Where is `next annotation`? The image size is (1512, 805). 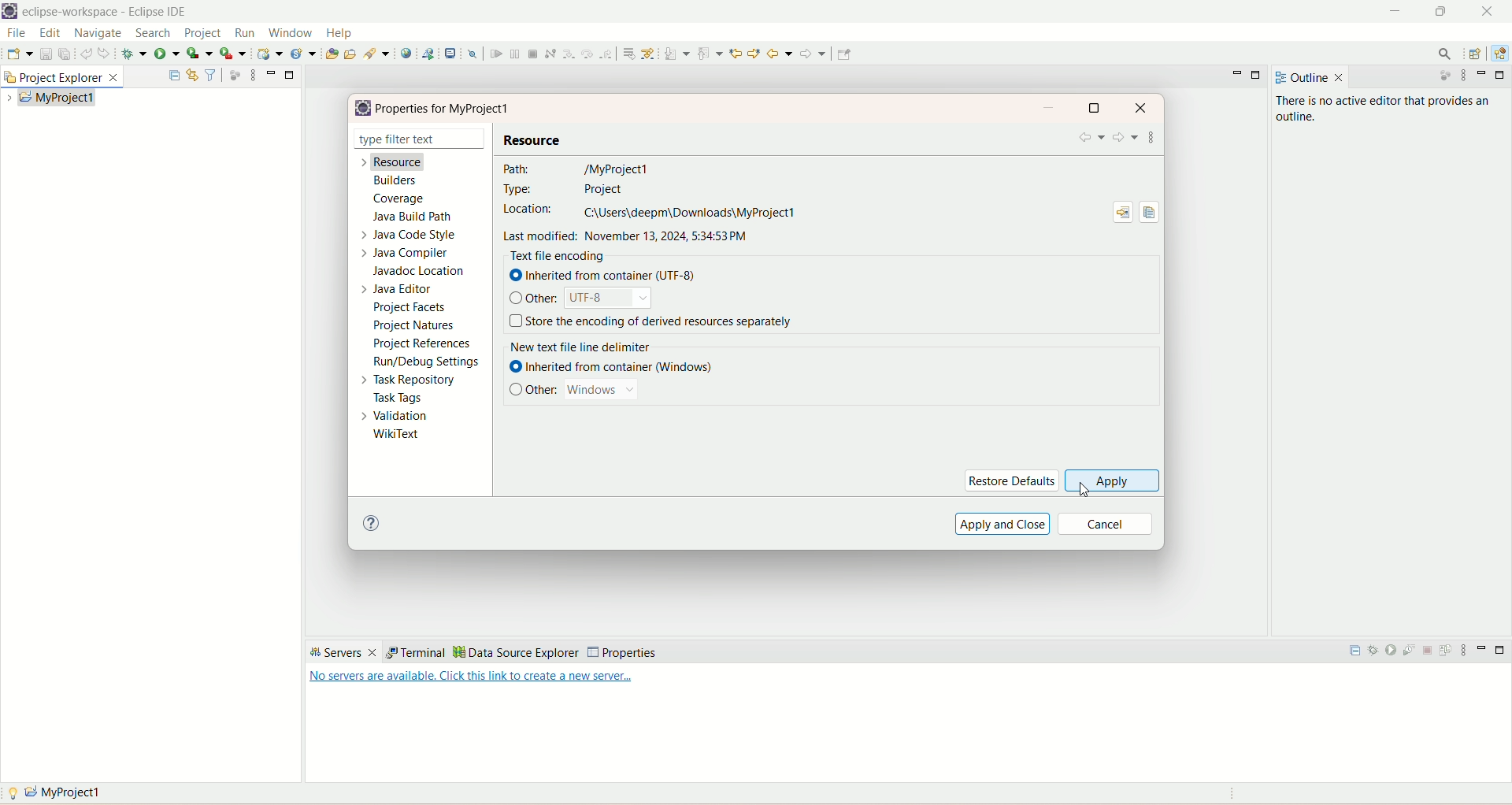 next annotation is located at coordinates (678, 55).